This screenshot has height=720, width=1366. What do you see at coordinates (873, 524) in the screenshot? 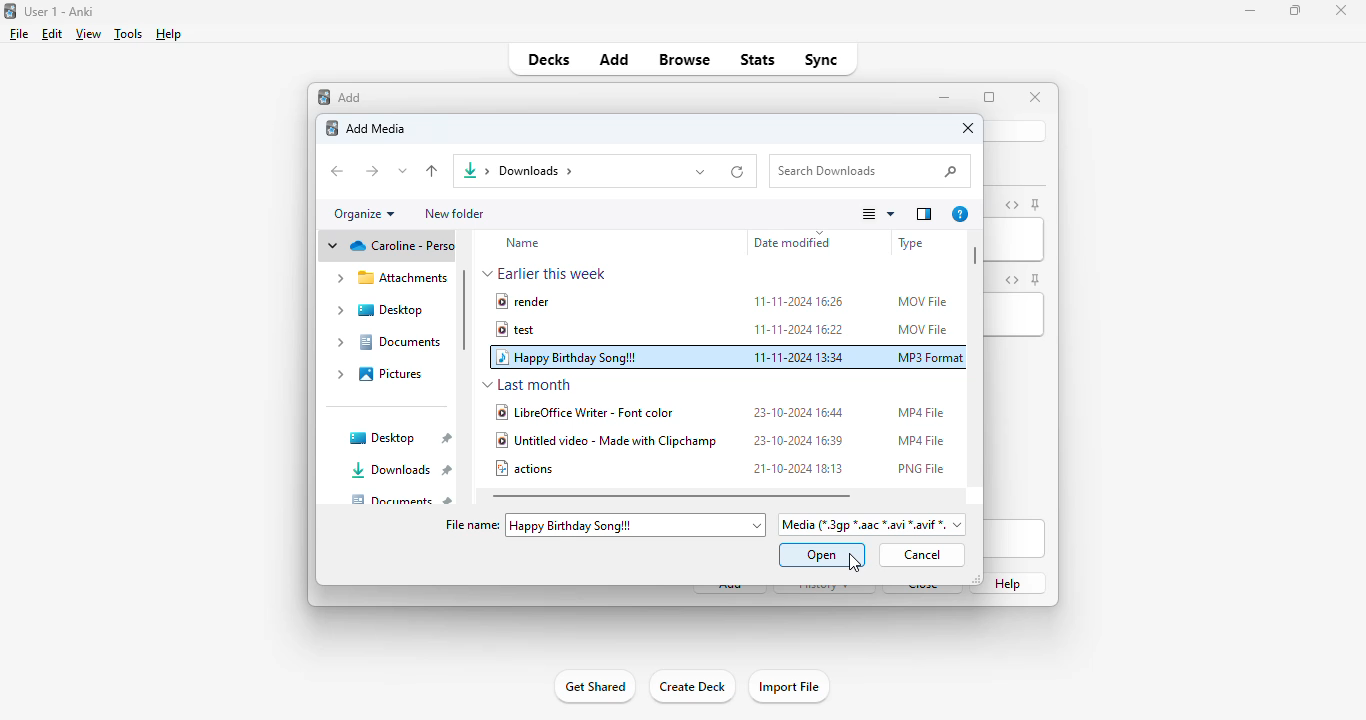
I see `file format` at bounding box center [873, 524].